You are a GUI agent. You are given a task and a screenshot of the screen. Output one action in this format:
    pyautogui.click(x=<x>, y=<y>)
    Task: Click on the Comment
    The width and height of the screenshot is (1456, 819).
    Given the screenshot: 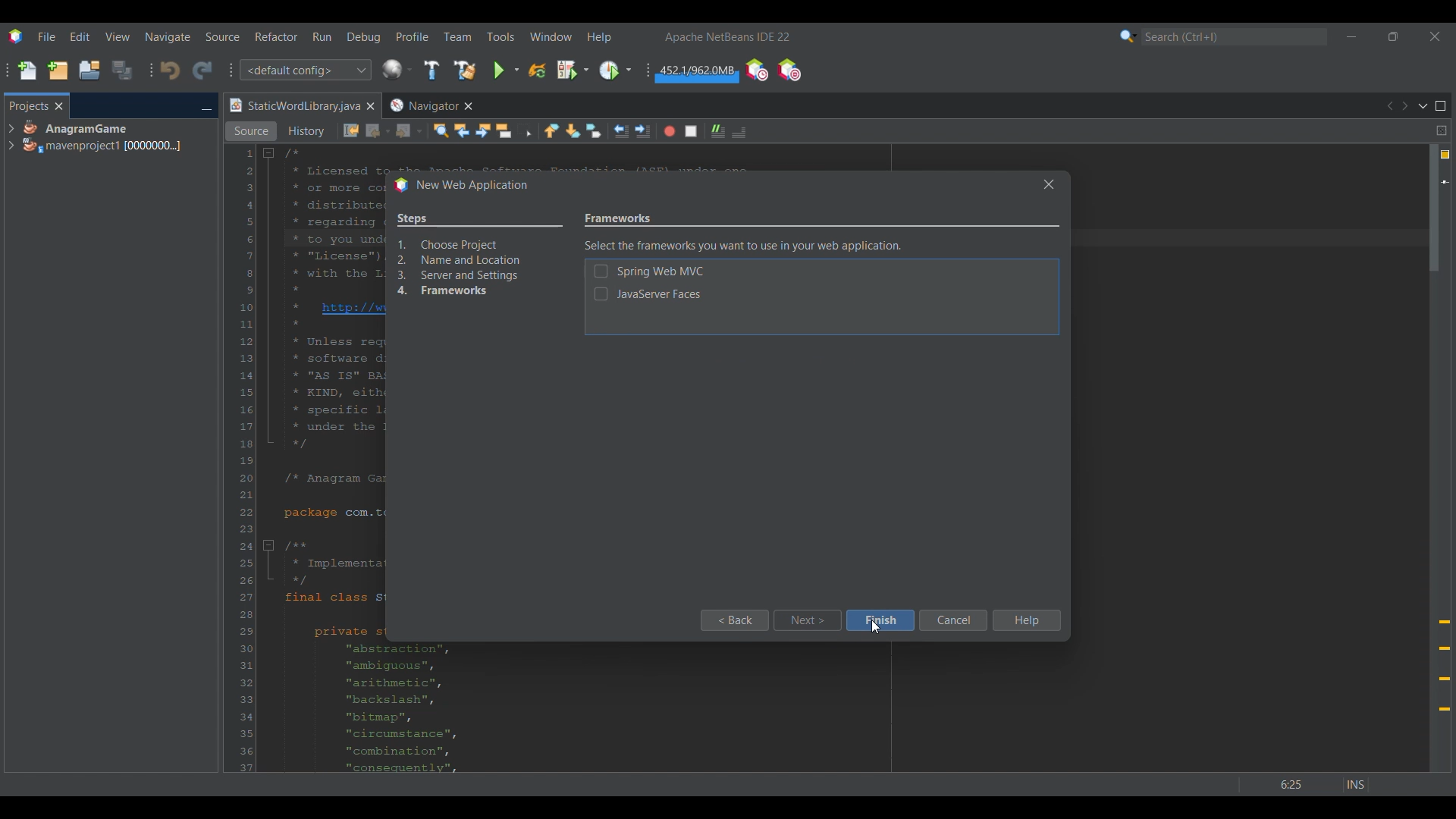 What is the action you would take?
    pyautogui.click(x=739, y=132)
    